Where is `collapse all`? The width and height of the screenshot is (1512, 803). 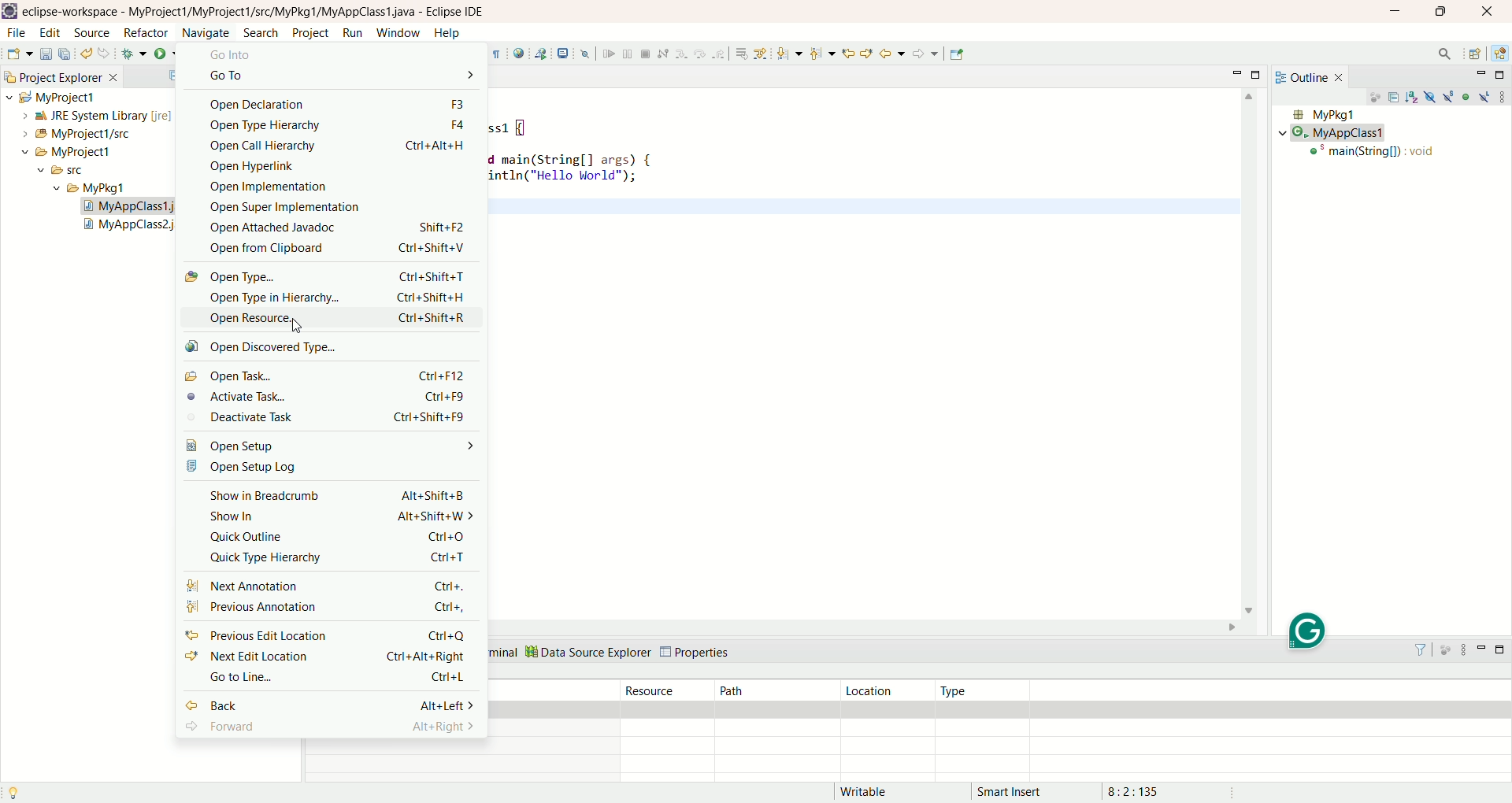
collapse all is located at coordinates (1395, 99).